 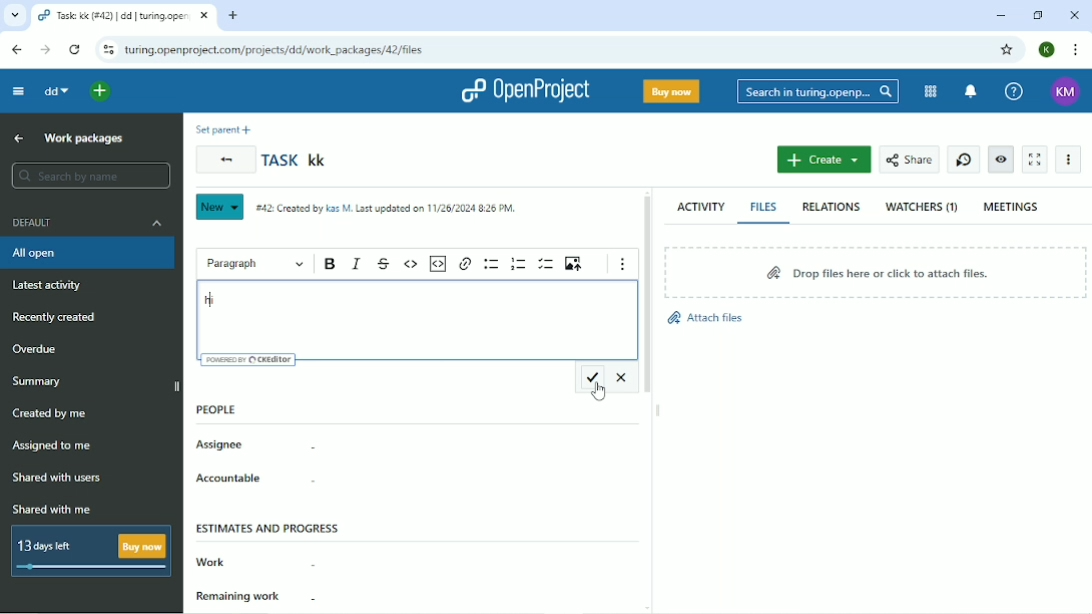 I want to click on Assigned to me, so click(x=54, y=446).